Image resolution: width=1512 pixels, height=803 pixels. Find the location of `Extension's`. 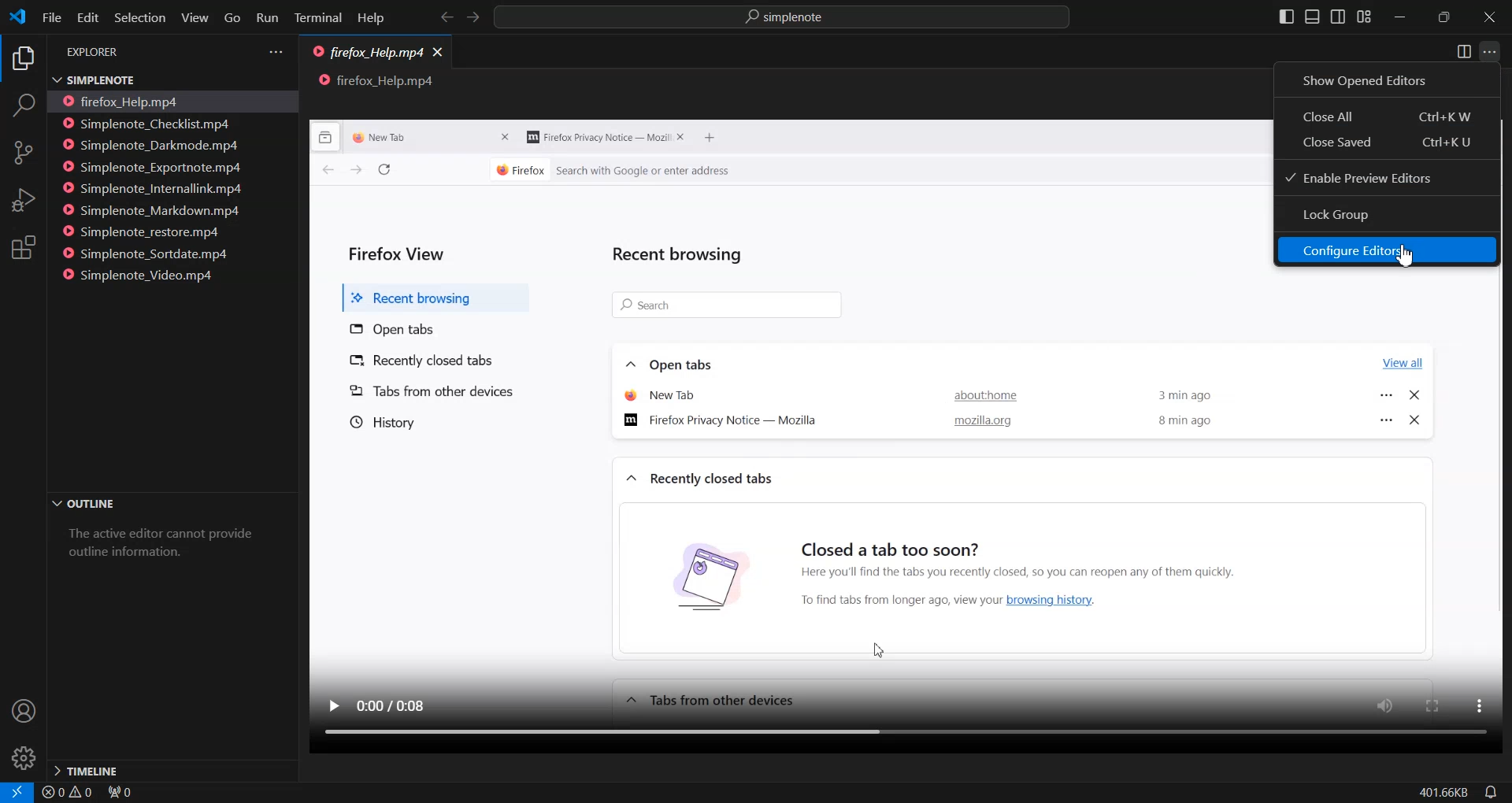

Extension's is located at coordinates (24, 249).